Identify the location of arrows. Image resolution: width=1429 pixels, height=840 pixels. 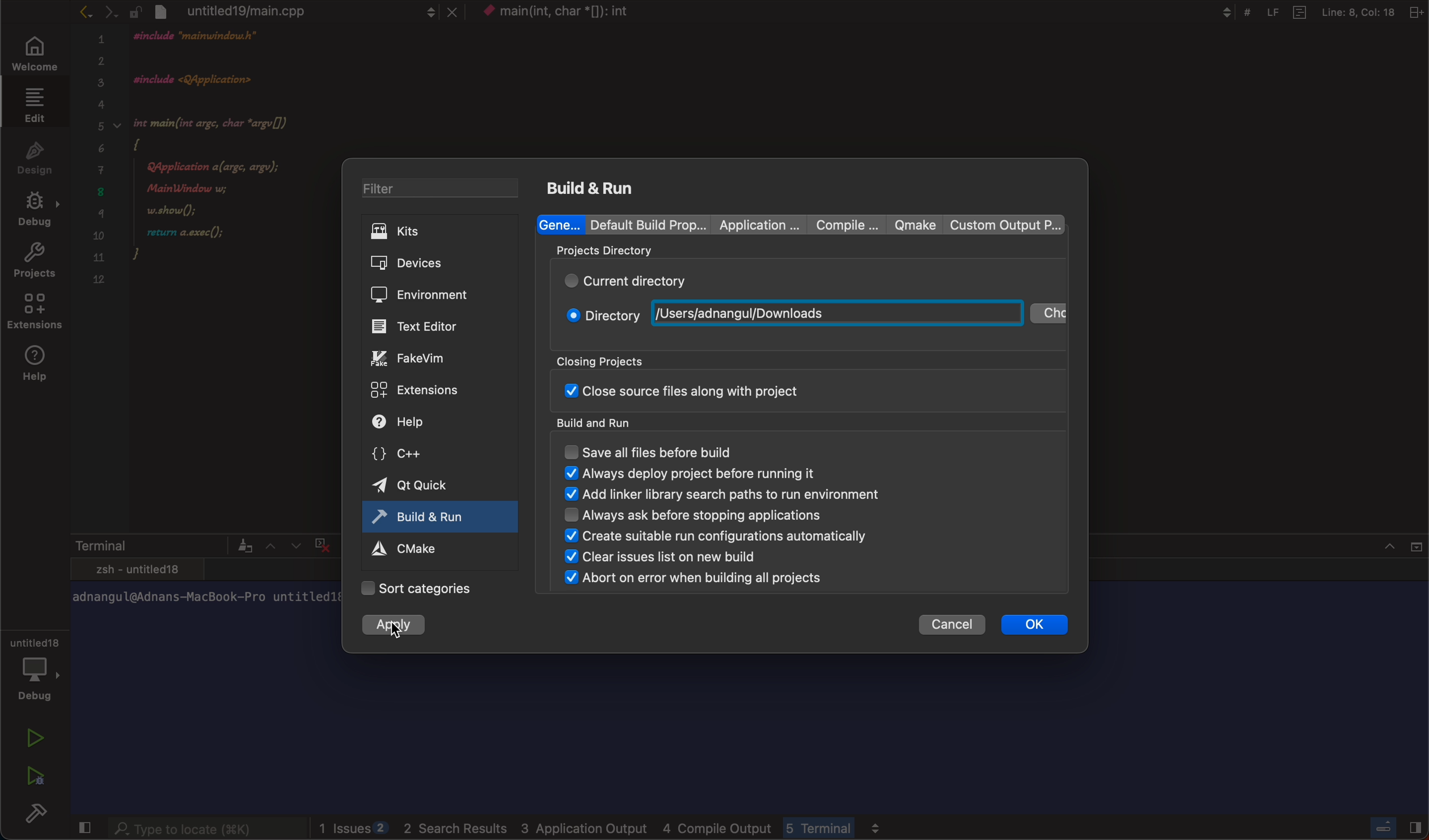
(91, 14).